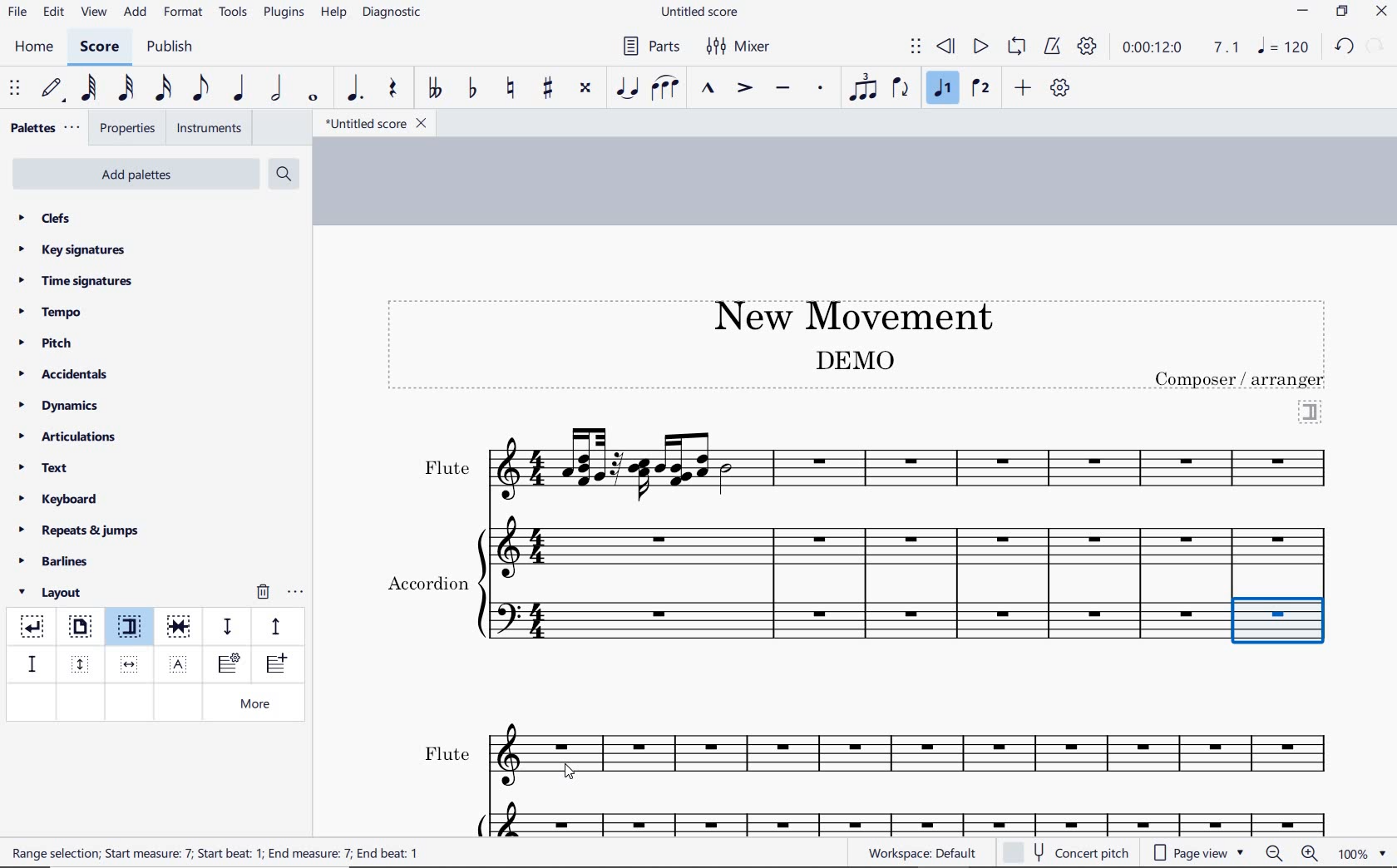  What do you see at coordinates (353, 89) in the screenshot?
I see `augmentation dot` at bounding box center [353, 89].